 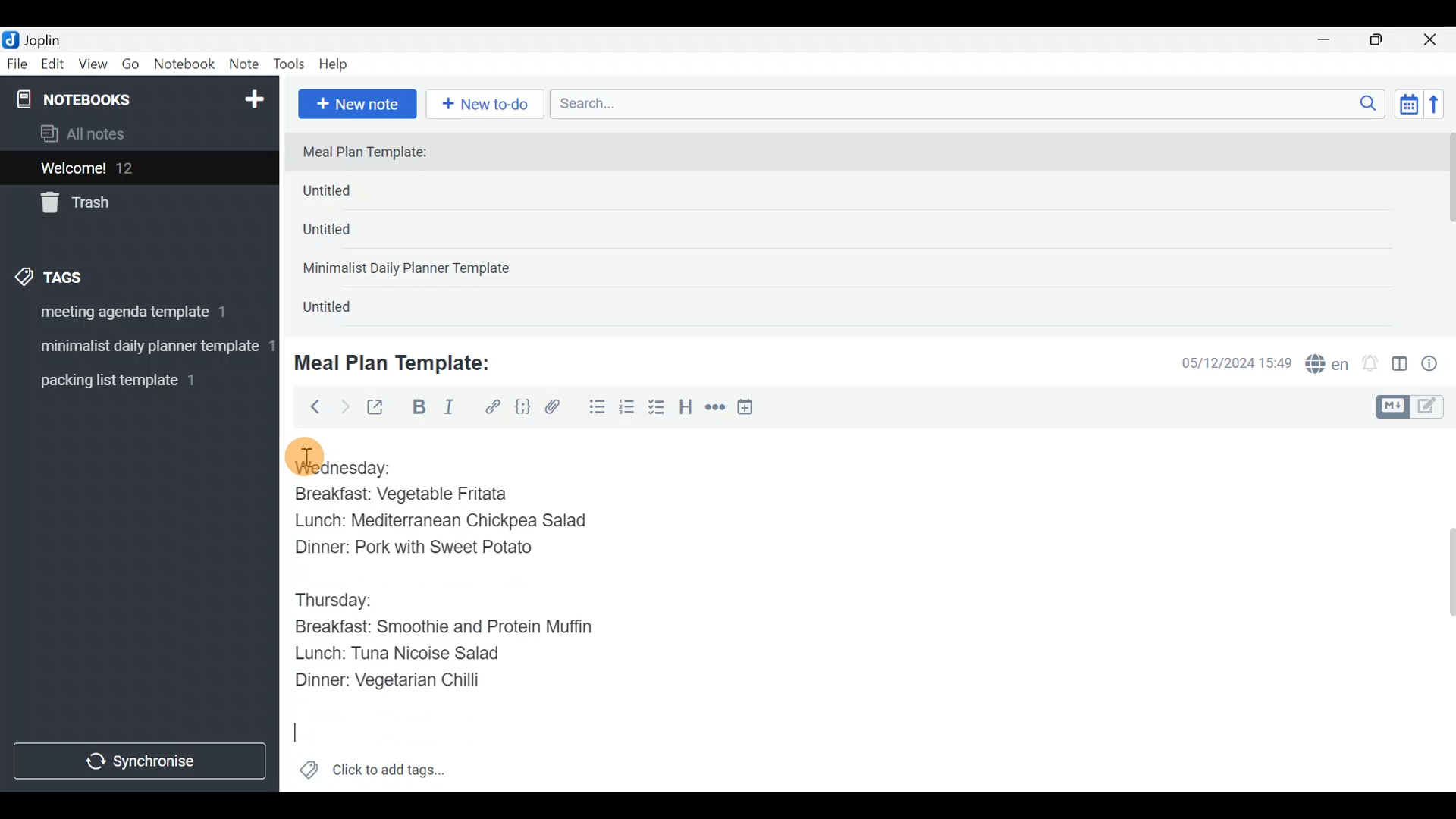 What do you see at coordinates (85, 275) in the screenshot?
I see `Tags` at bounding box center [85, 275].